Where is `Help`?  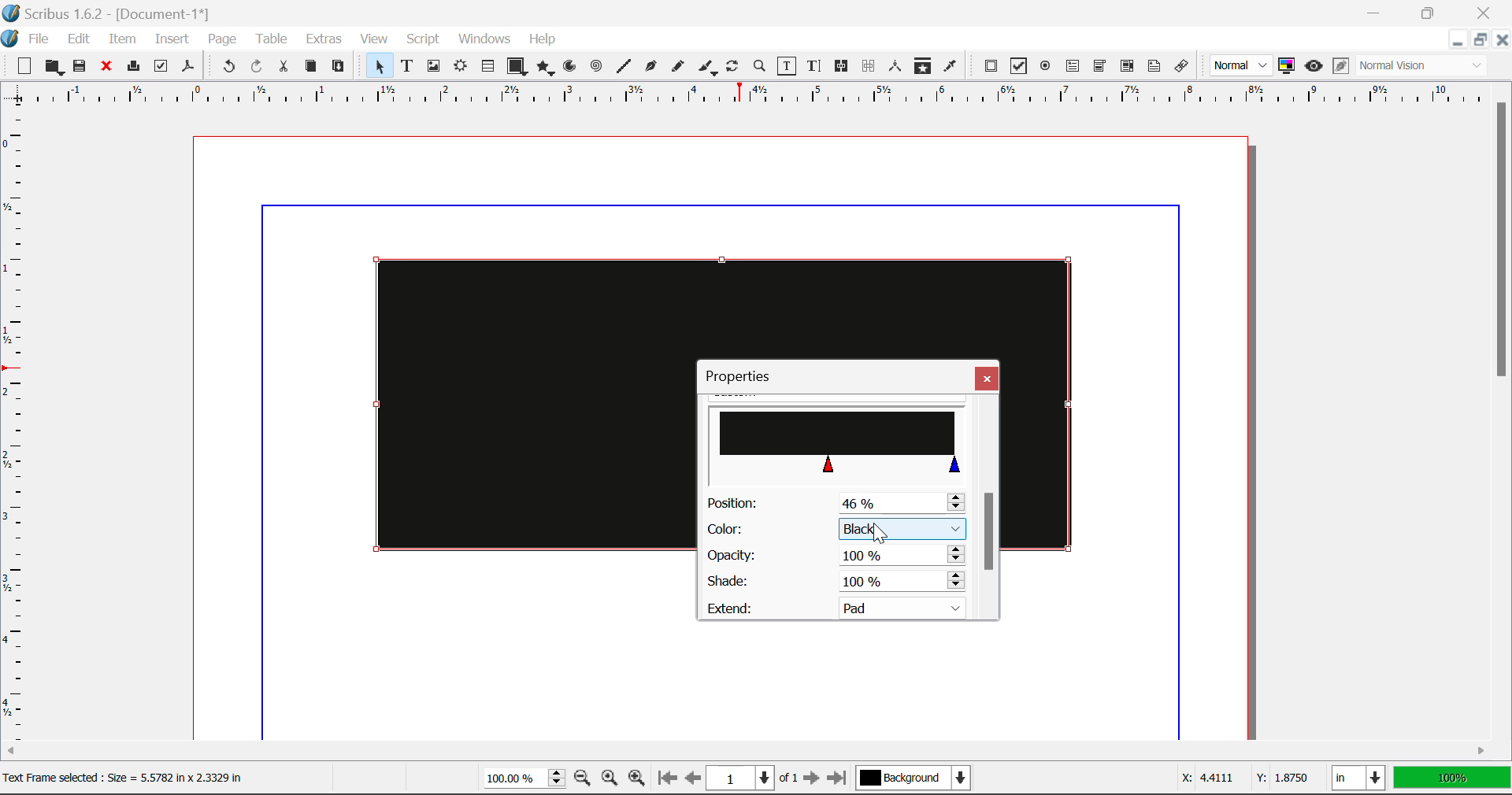 Help is located at coordinates (543, 39).